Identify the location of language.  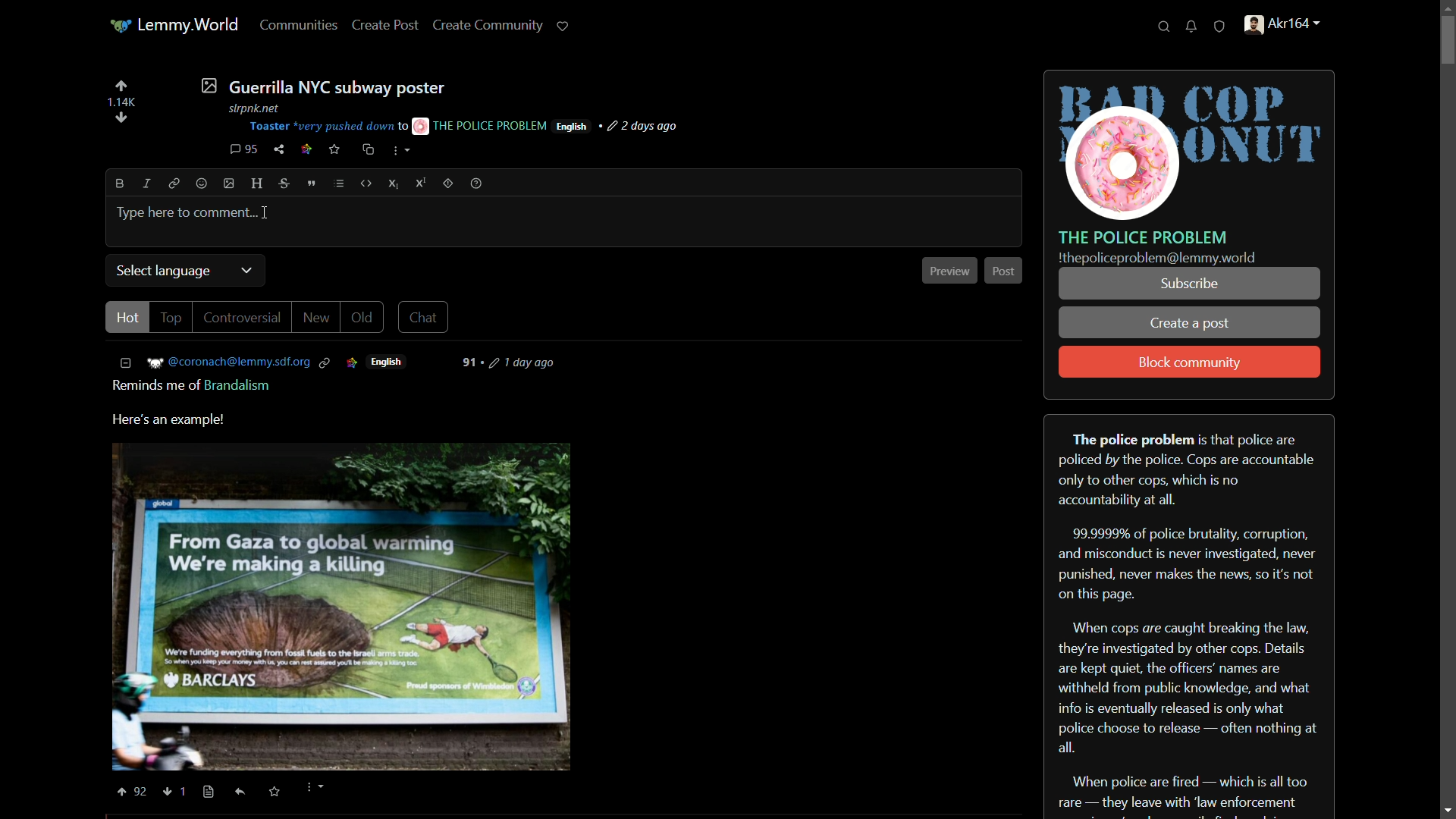
(388, 362).